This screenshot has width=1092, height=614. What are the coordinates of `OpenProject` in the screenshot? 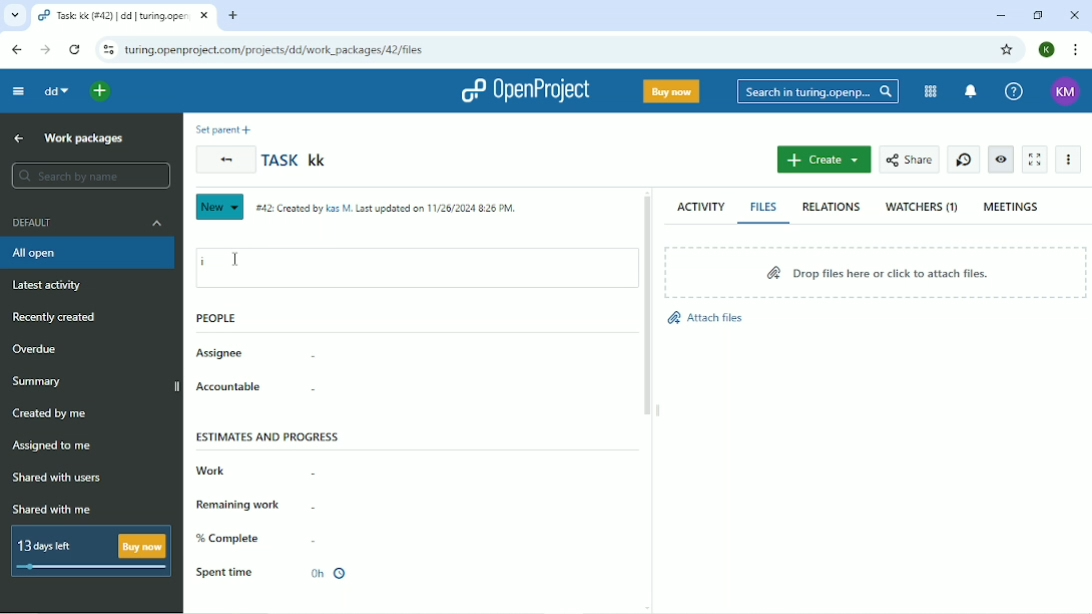 It's located at (527, 90).